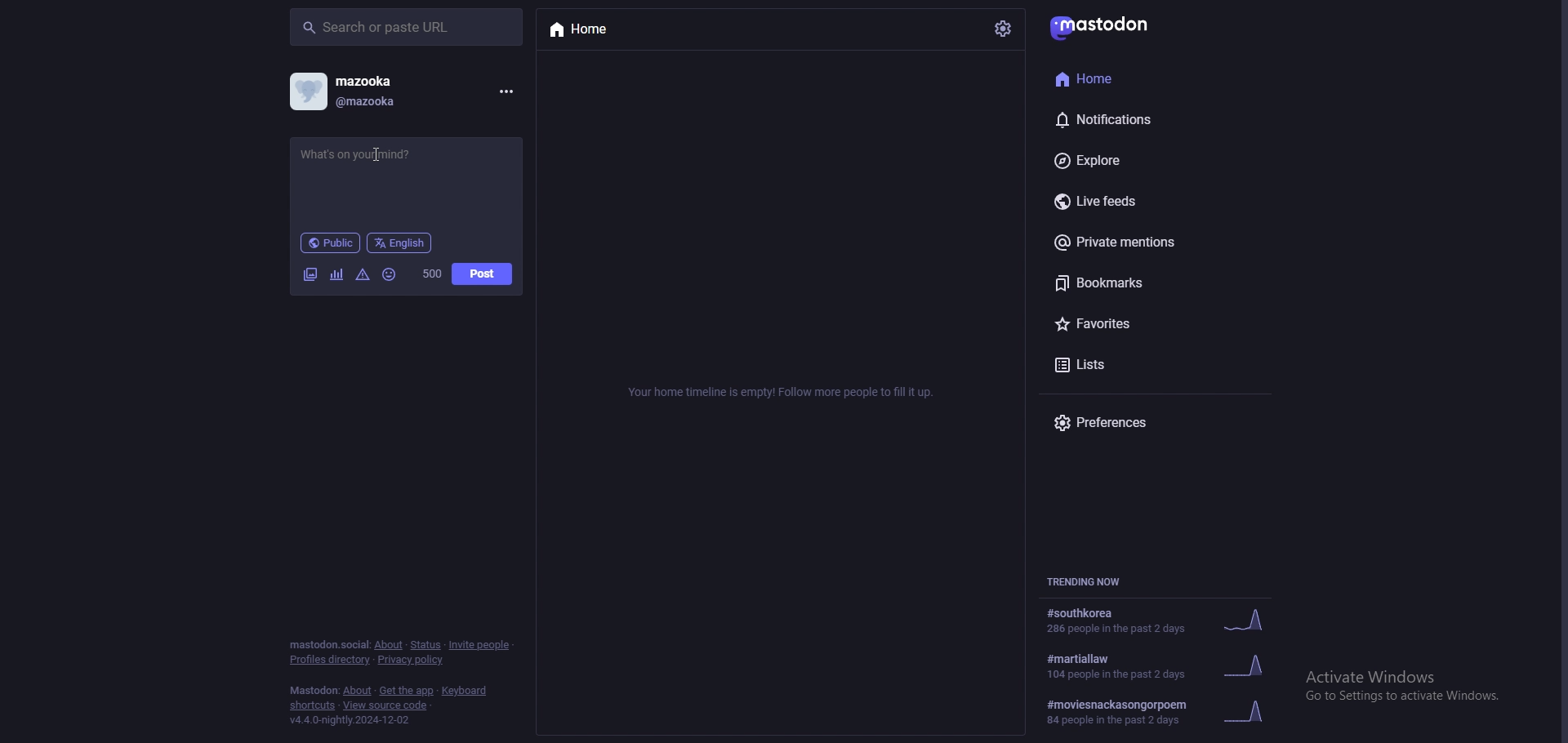 The width and height of the screenshot is (1568, 743). Describe the element at coordinates (463, 691) in the screenshot. I see `keyboard` at that location.